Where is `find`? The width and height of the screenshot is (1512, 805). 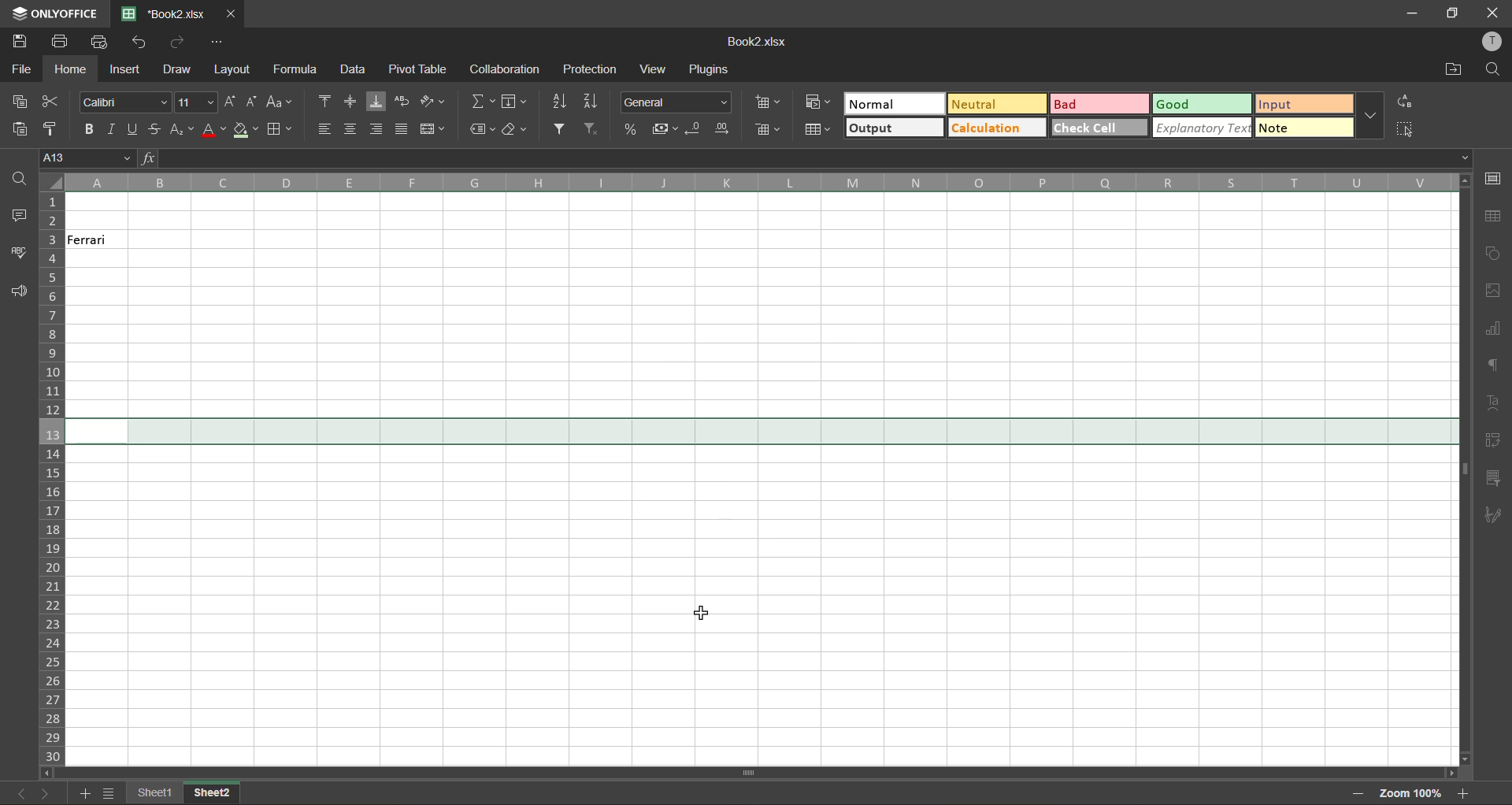
find is located at coordinates (1495, 70).